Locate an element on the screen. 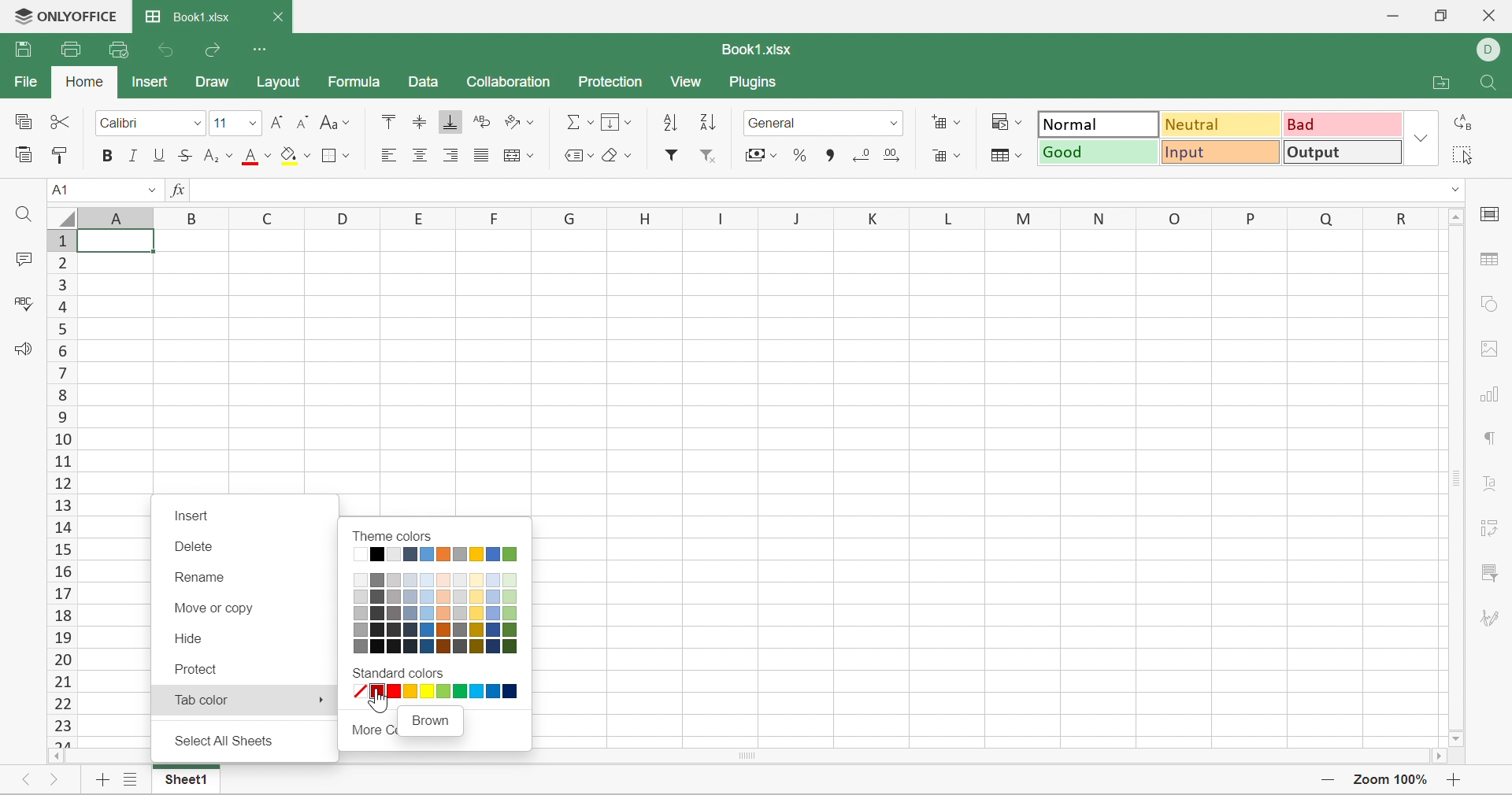  Cursor is located at coordinates (376, 701).